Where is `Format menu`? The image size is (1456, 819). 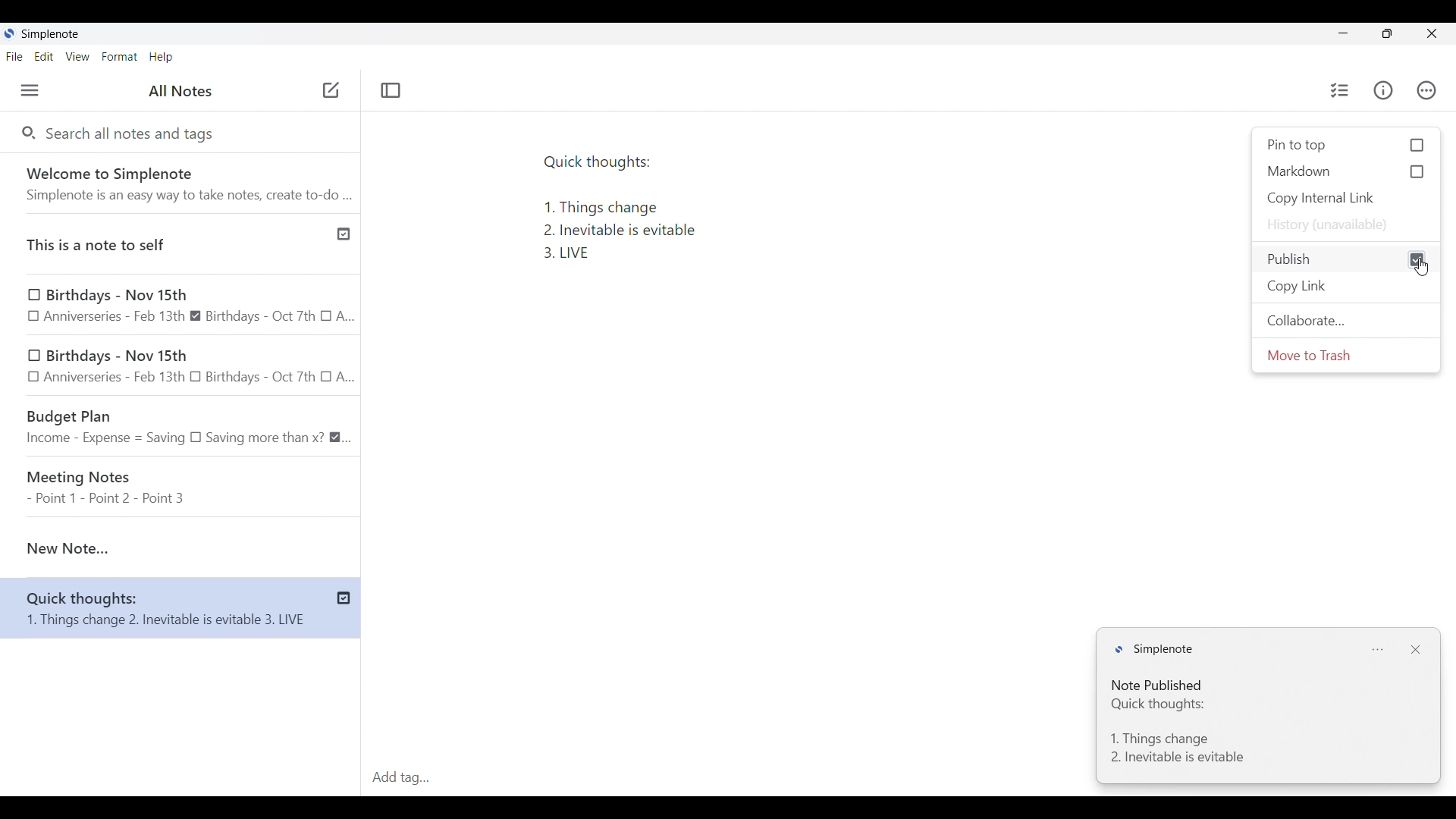 Format menu is located at coordinates (120, 57).